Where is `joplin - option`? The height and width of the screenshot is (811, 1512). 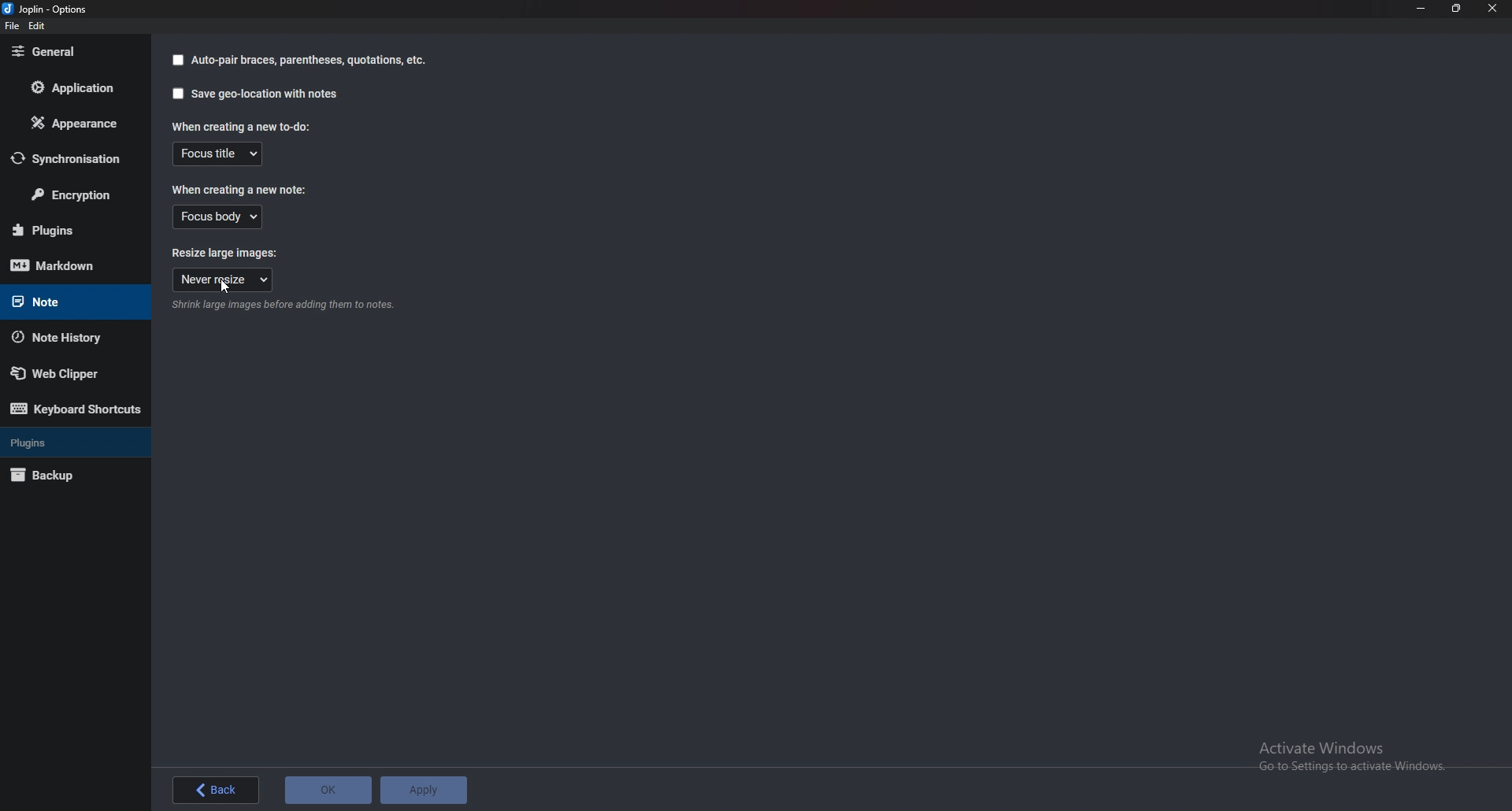
joplin - option is located at coordinates (48, 9).